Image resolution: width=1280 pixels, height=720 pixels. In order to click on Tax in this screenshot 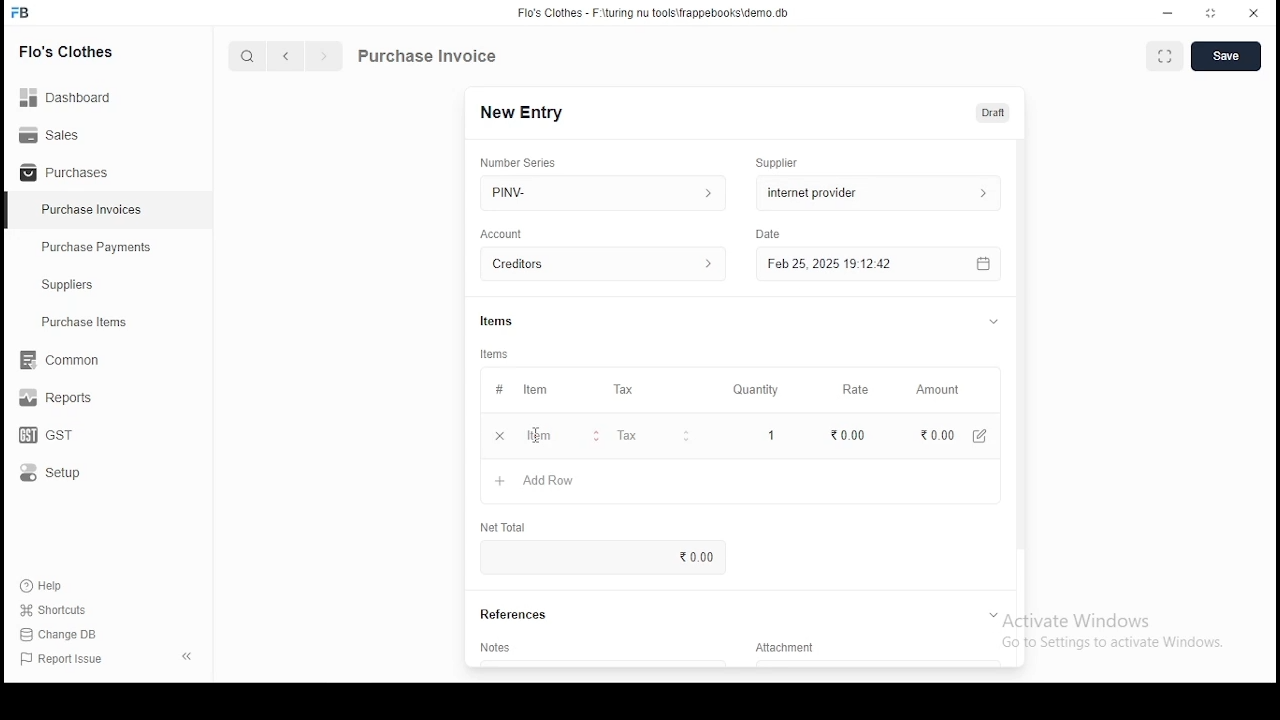, I will do `click(633, 434)`.